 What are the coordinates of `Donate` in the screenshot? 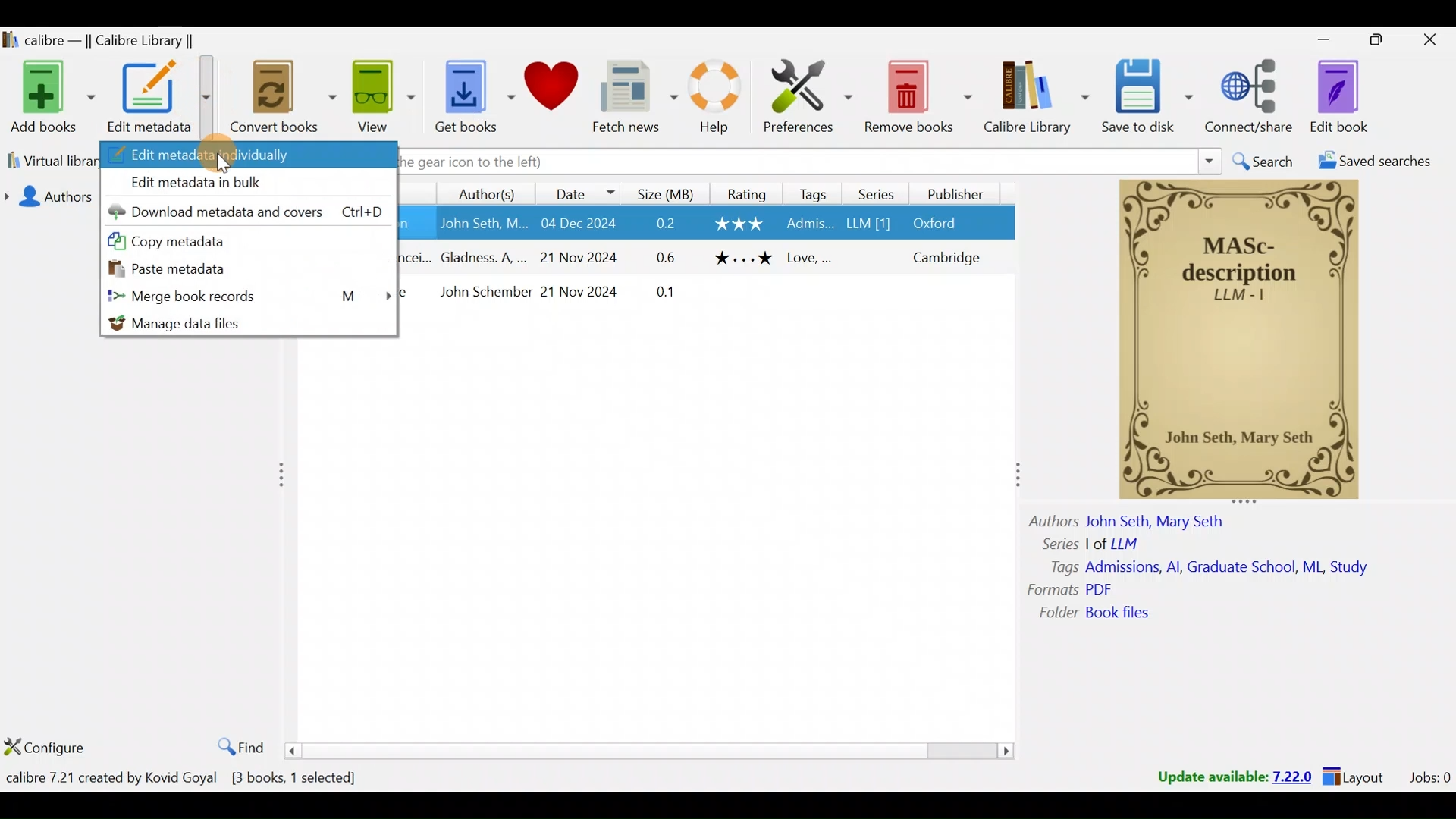 It's located at (551, 101).